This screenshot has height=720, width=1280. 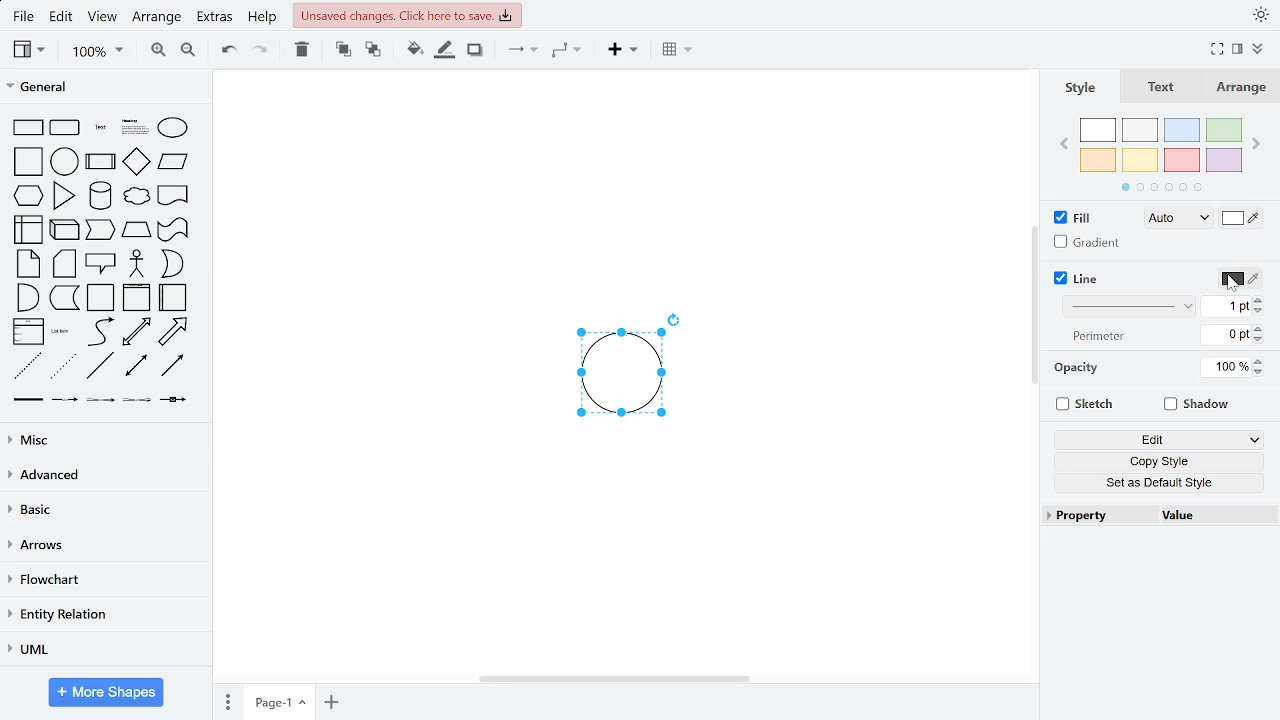 What do you see at coordinates (1223, 160) in the screenshot?
I see `violet` at bounding box center [1223, 160].